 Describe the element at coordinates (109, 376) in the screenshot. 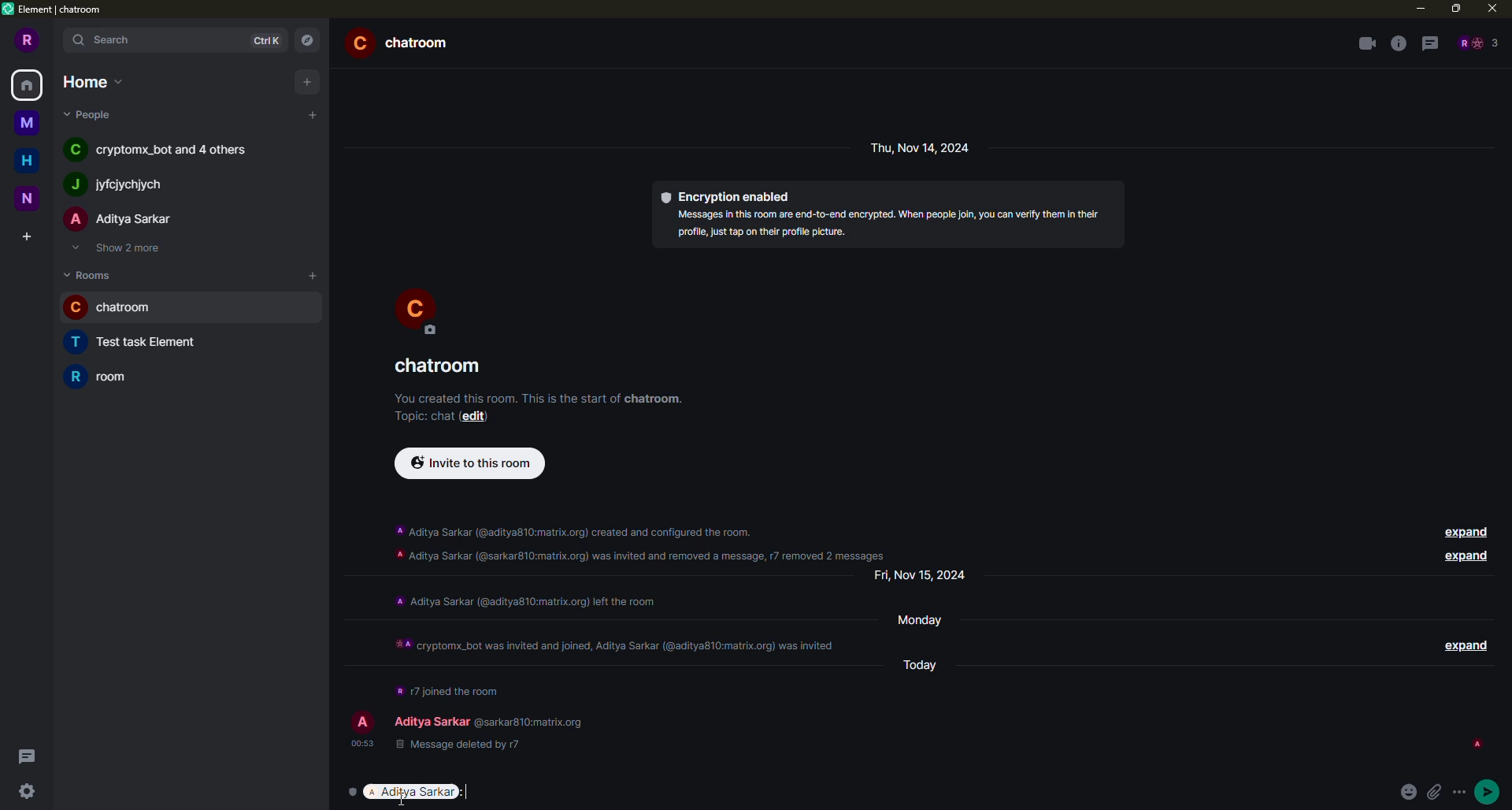

I see `room` at that location.